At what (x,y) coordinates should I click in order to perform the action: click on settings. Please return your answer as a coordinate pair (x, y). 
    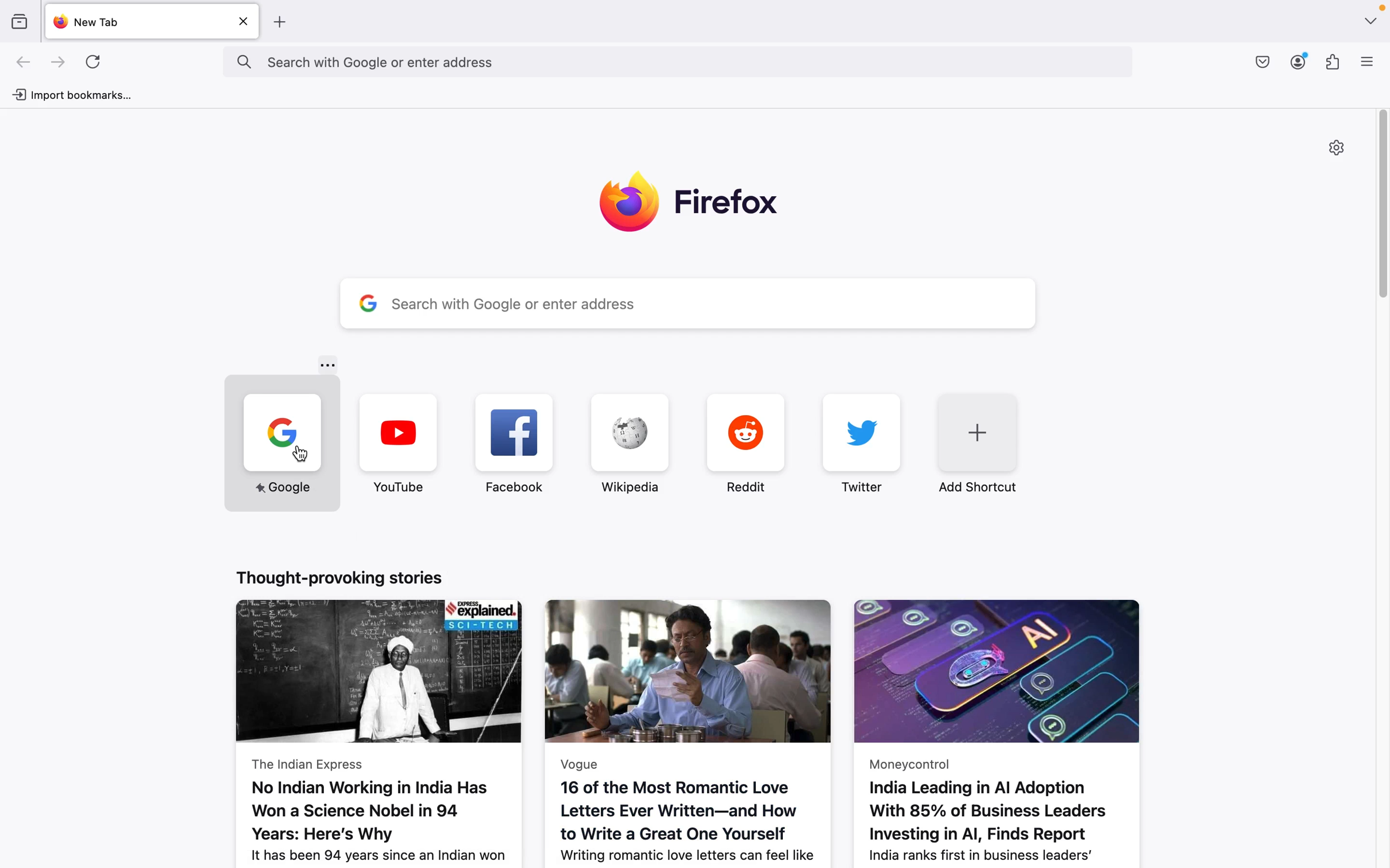
    Looking at the image, I should click on (1341, 152).